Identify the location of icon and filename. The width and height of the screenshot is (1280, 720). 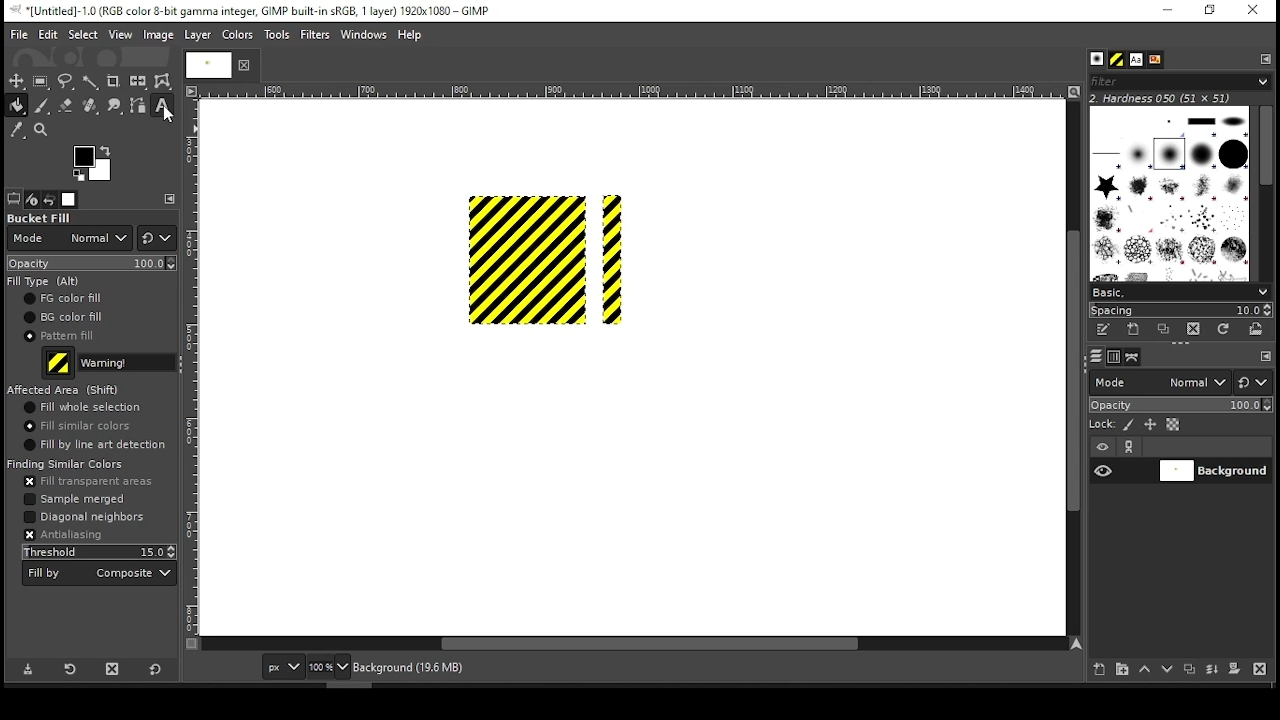
(252, 9).